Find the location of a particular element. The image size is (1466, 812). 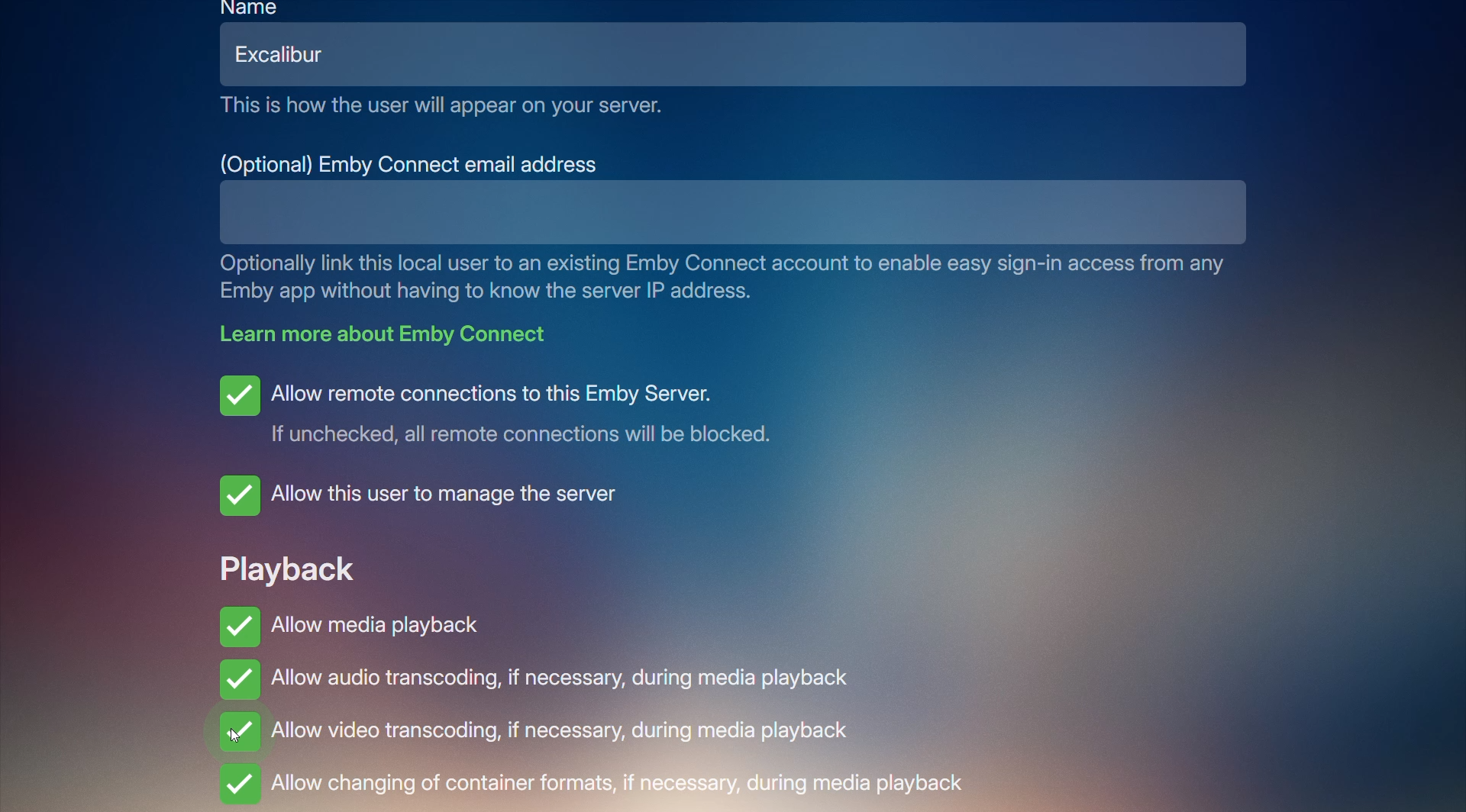

Allow video transcoding, if necessary, during media playback is located at coordinates (563, 731).